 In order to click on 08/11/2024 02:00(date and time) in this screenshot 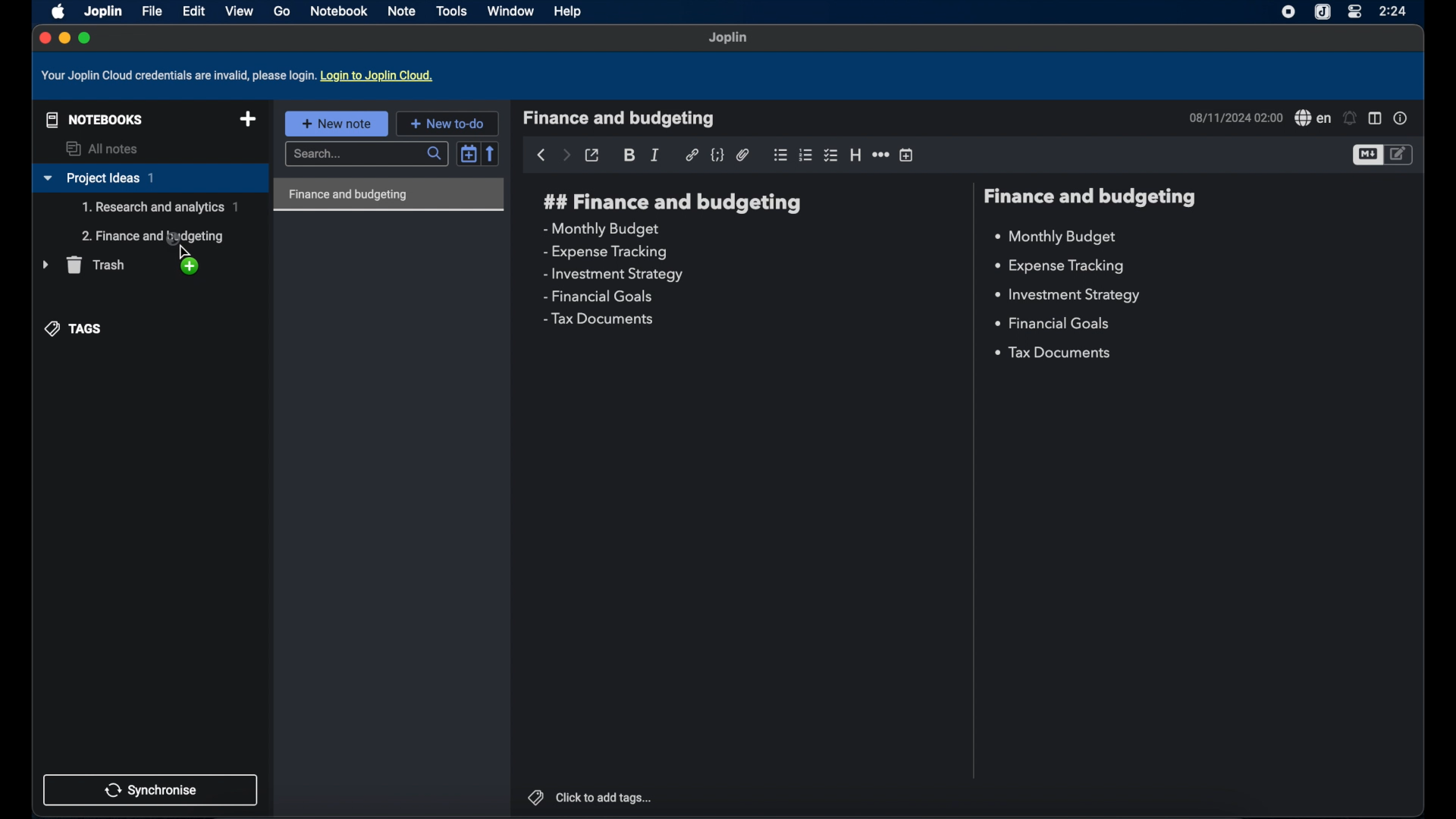, I will do `click(1234, 118)`.